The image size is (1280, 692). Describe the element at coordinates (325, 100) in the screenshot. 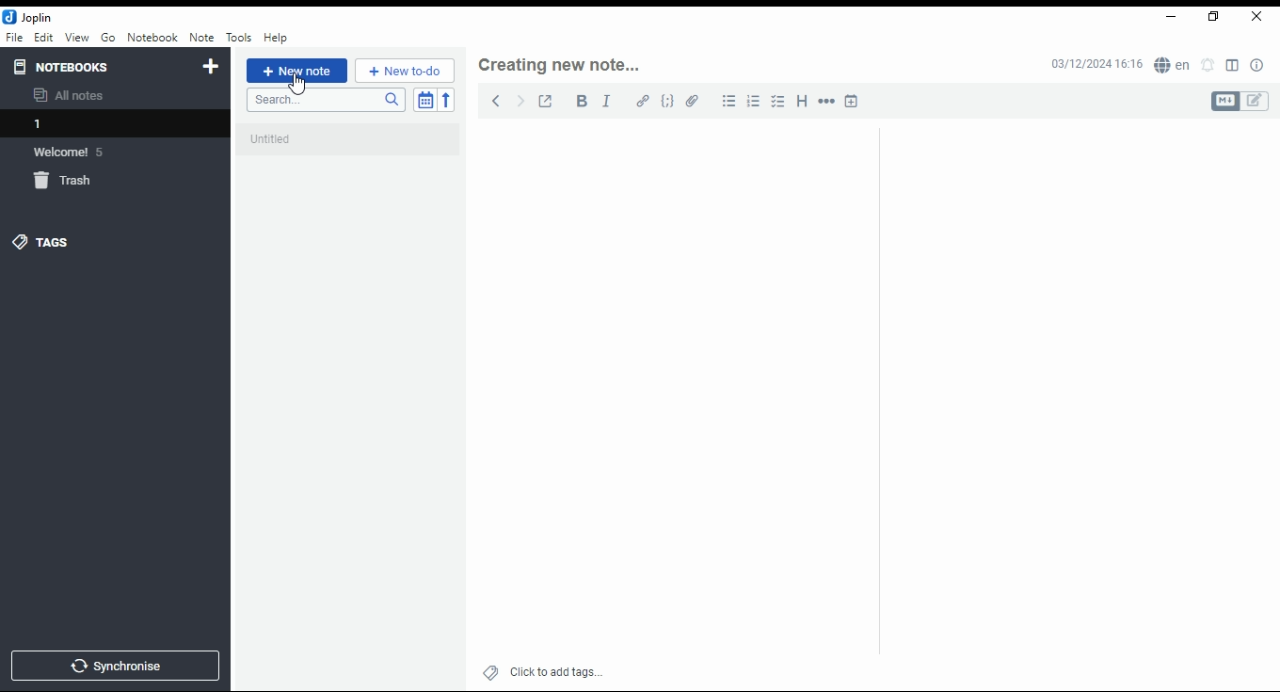

I see `search` at that location.